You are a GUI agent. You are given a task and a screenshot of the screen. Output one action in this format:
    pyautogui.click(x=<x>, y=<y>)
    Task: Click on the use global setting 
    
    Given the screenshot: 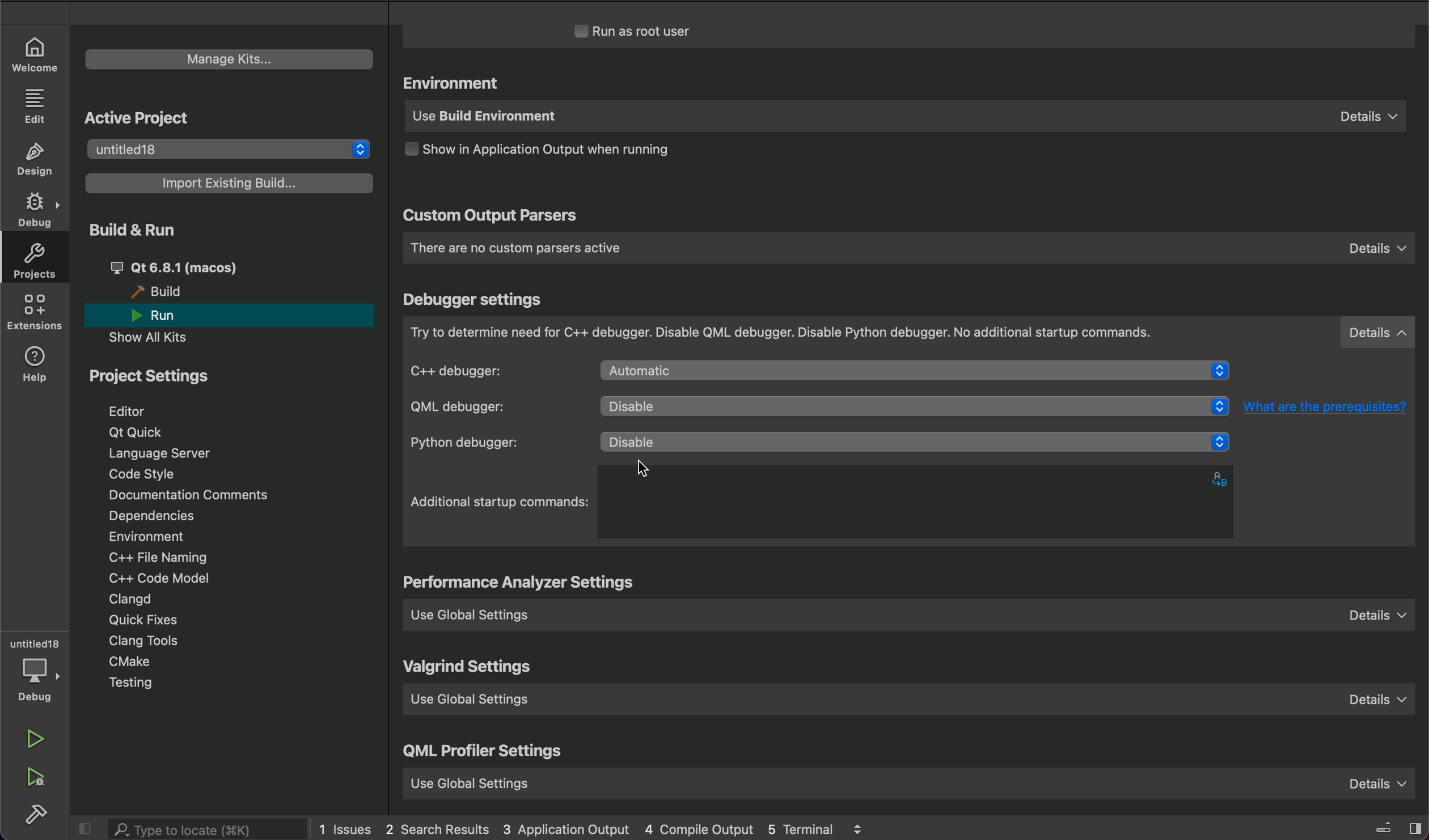 What is the action you would take?
    pyautogui.click(x=913, y=703)
    